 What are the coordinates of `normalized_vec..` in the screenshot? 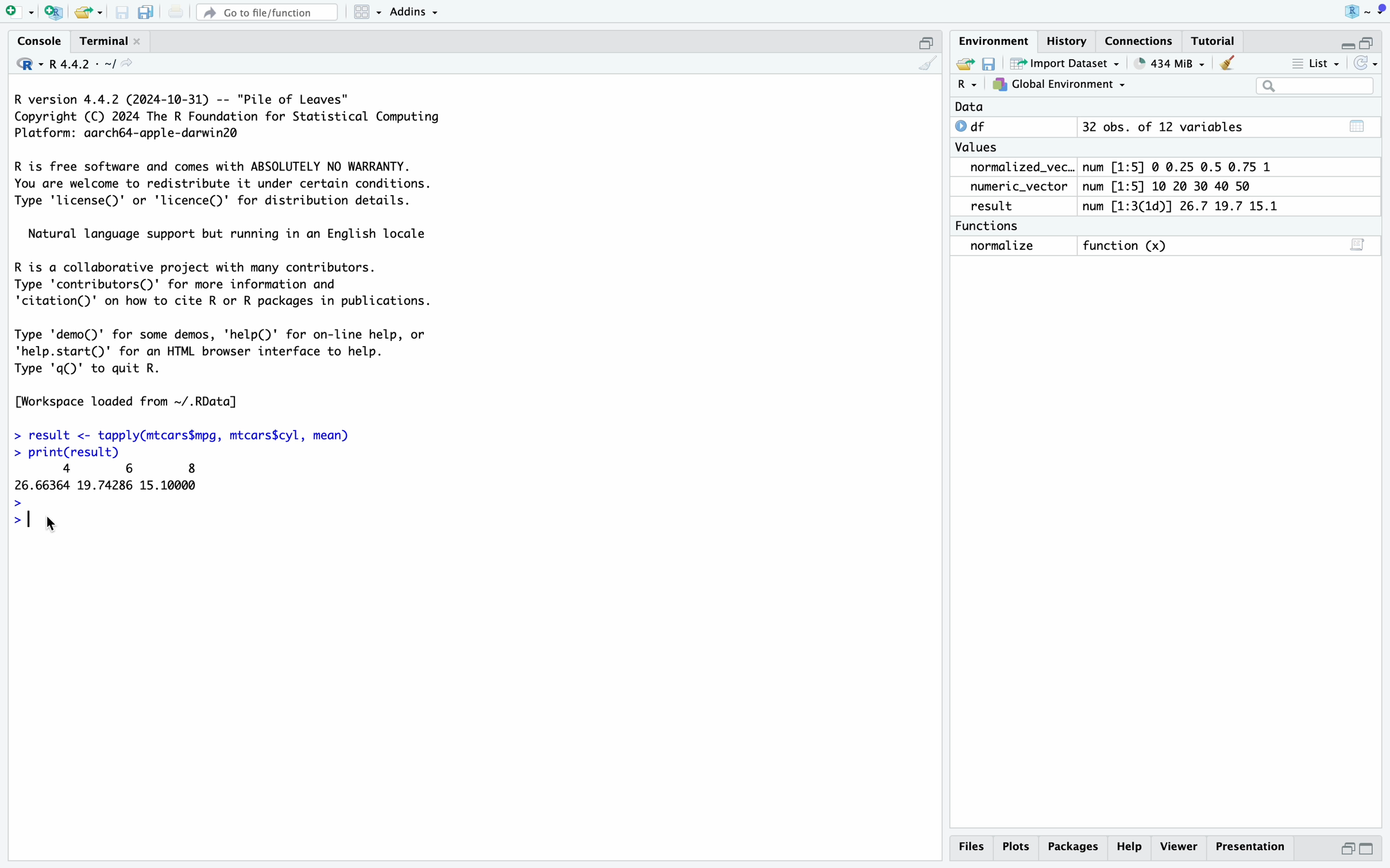 It's located at (1021, 167).